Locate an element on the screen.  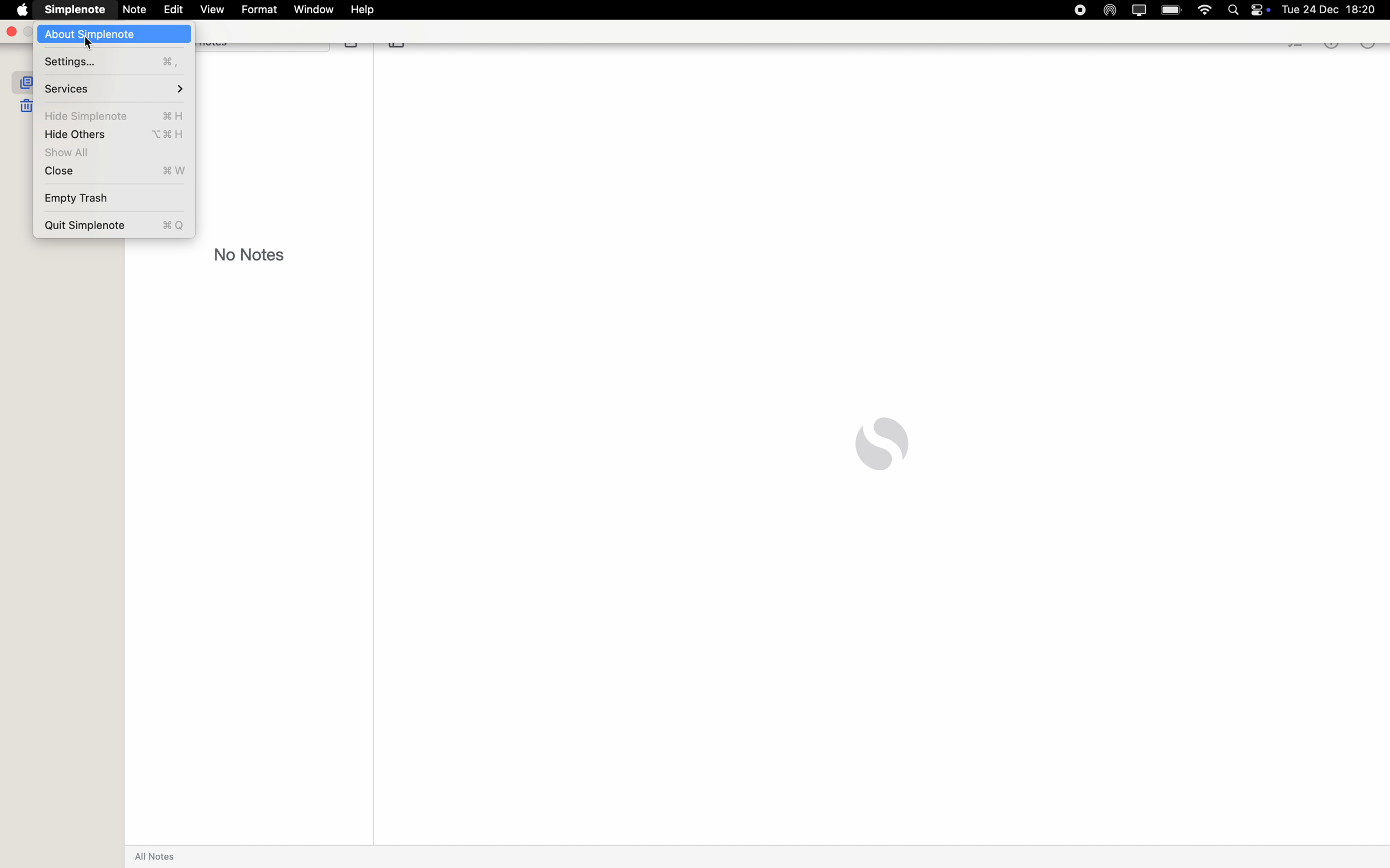
empty trash is located at coordinates (75, 196).